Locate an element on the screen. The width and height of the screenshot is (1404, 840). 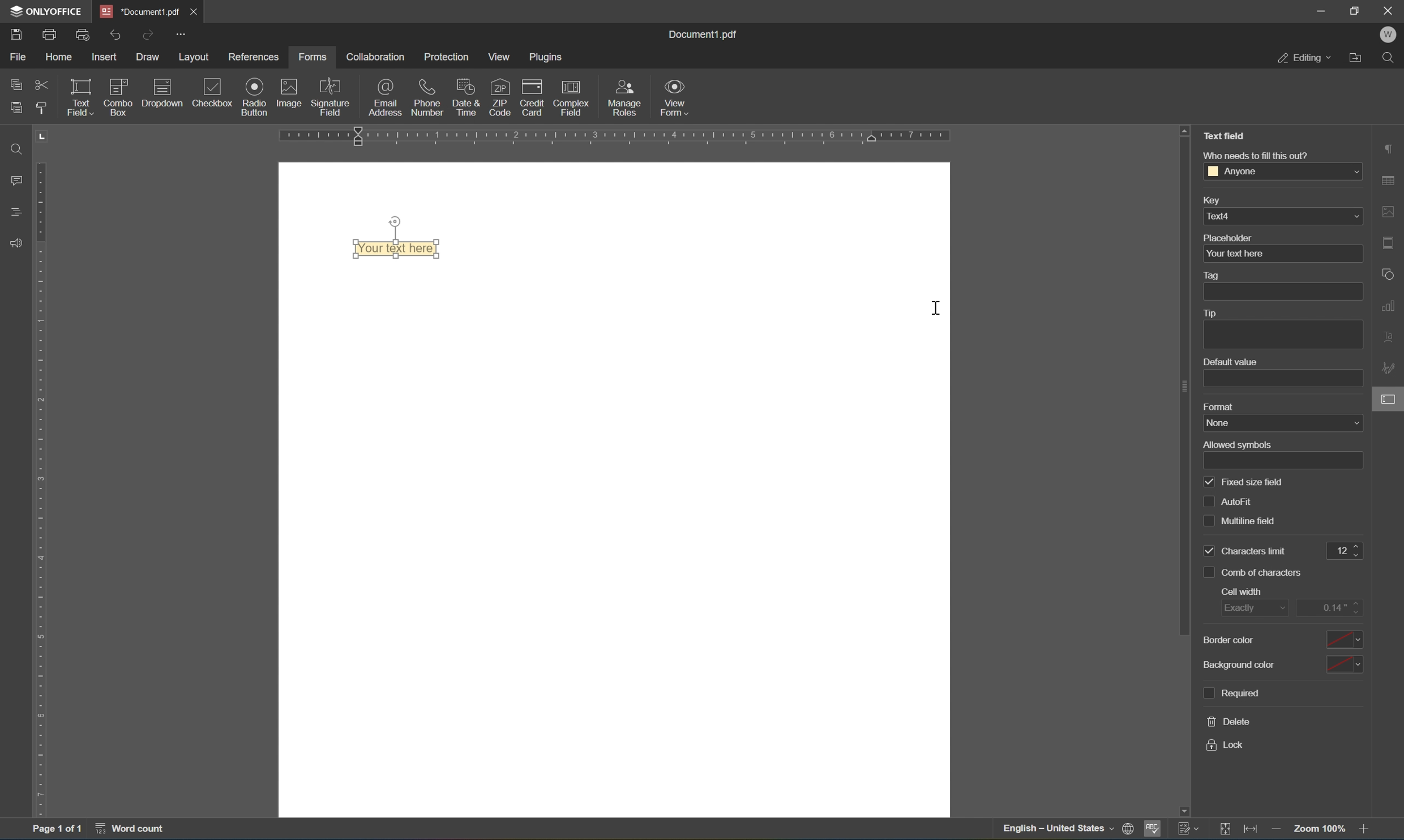
ONLYOFFICE is located at coordinates (44, 12).